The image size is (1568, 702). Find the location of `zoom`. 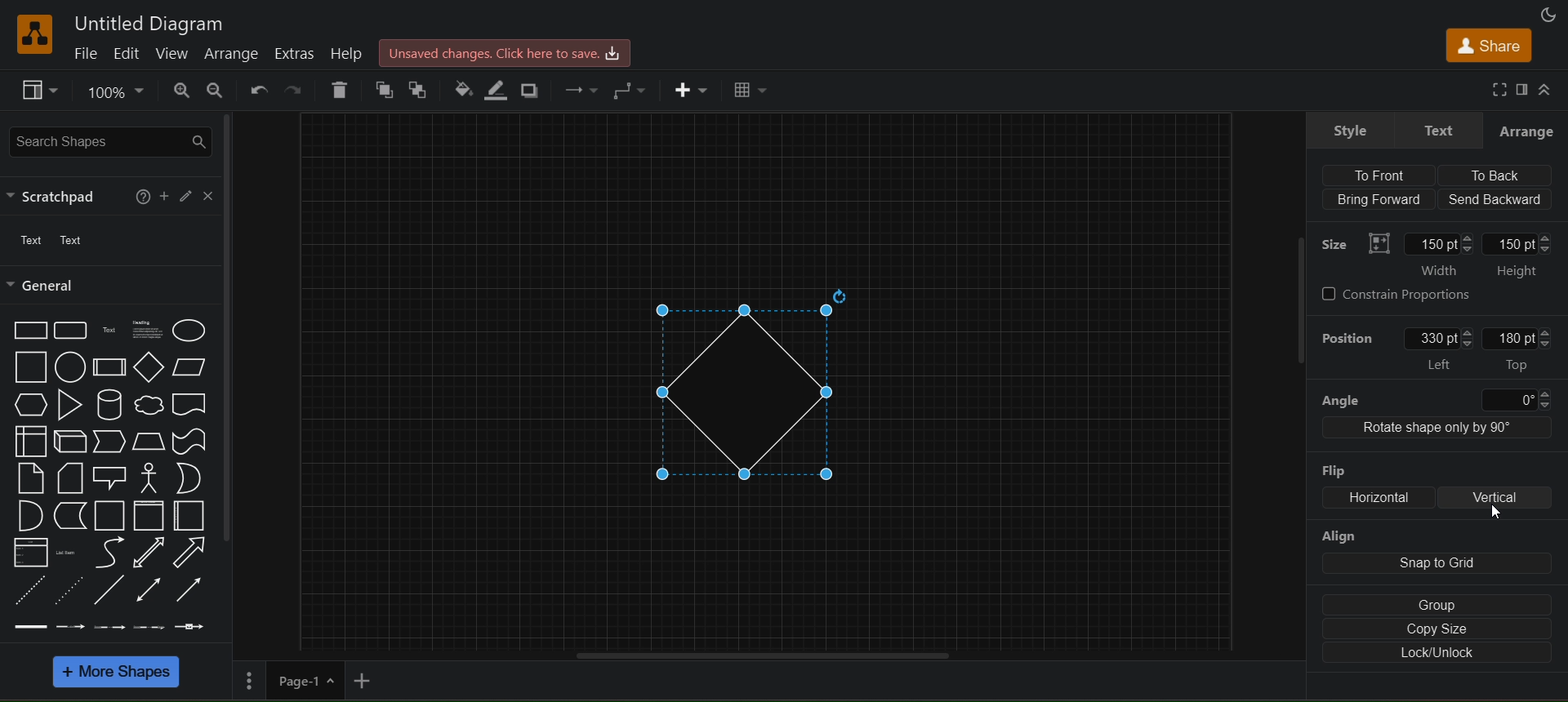

zoom is located at coordinates (115, 90).